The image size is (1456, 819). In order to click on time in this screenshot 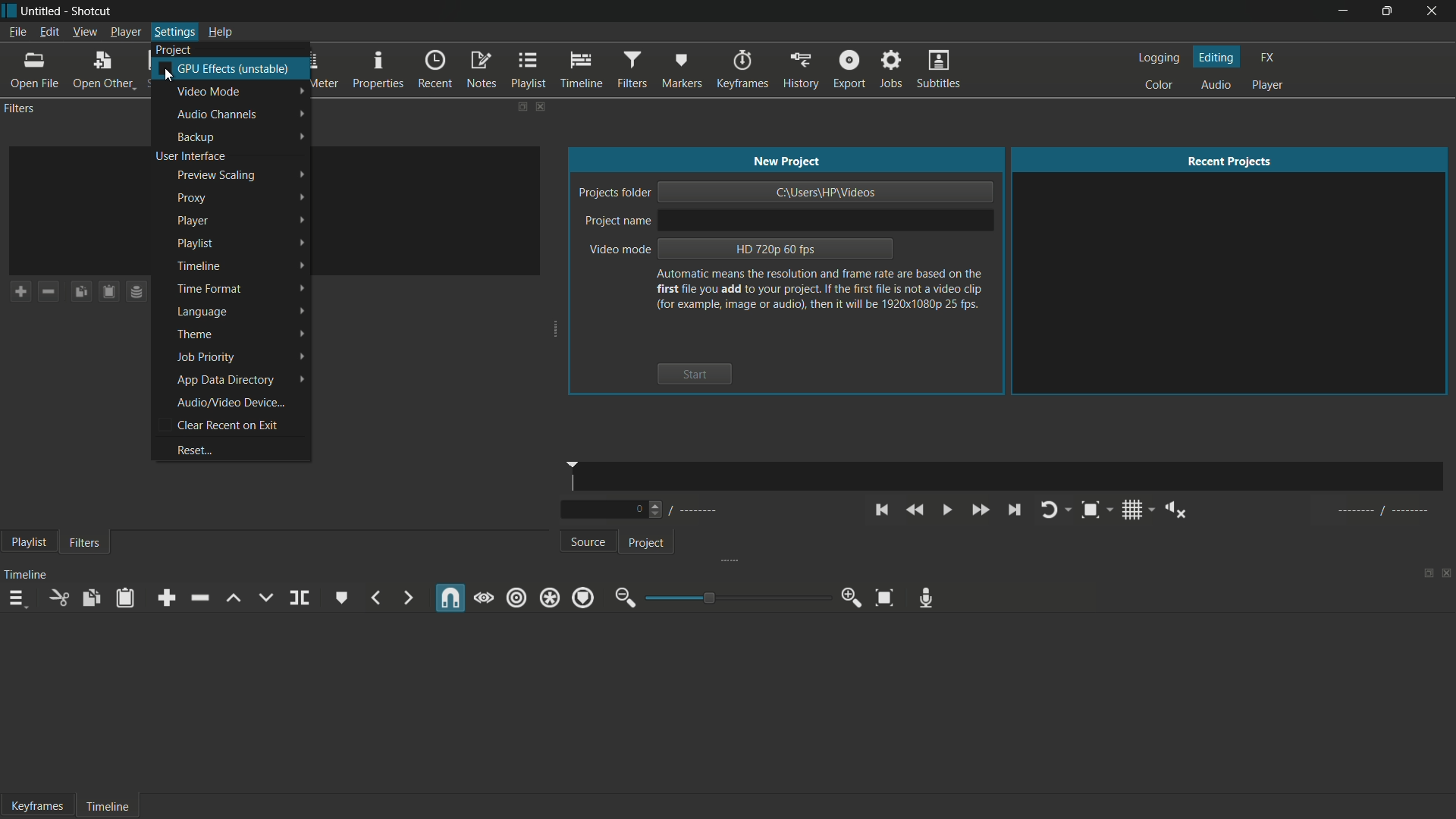, I will do `click(1012, 477)`.